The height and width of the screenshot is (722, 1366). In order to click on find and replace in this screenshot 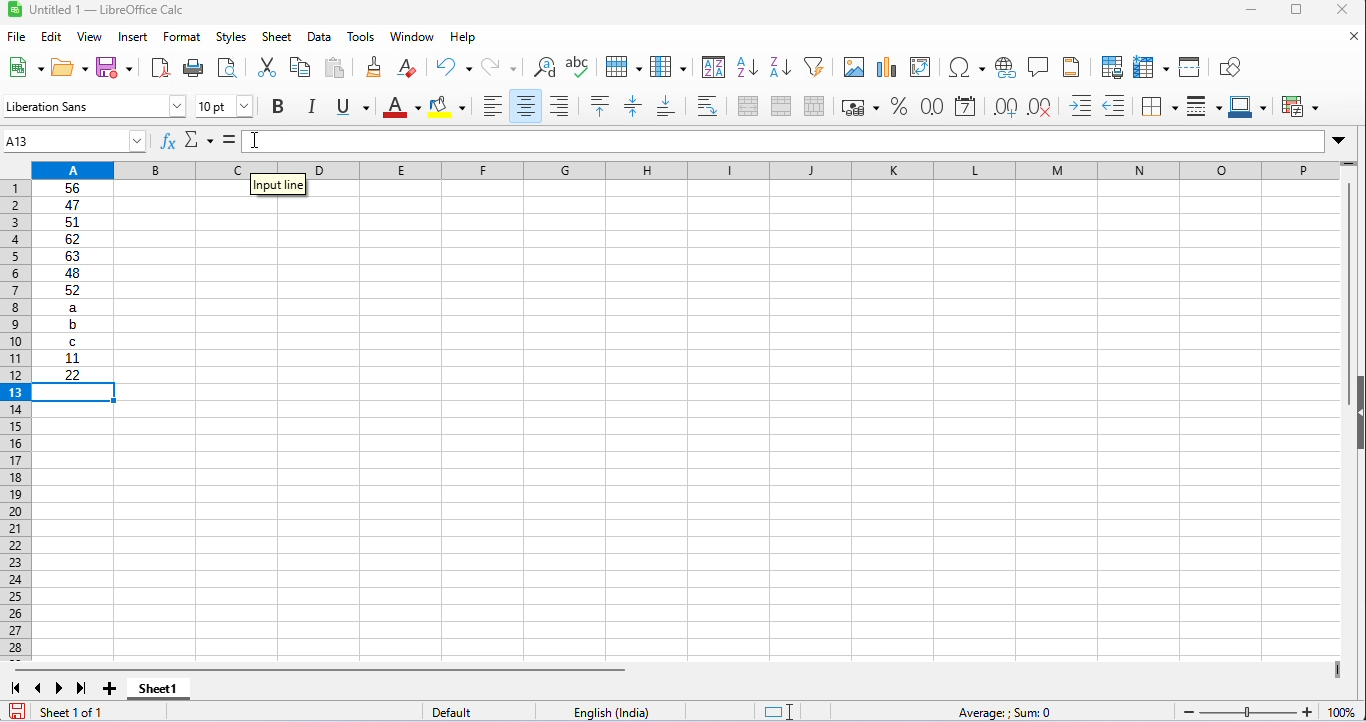, I will do `click(543, 67)`.